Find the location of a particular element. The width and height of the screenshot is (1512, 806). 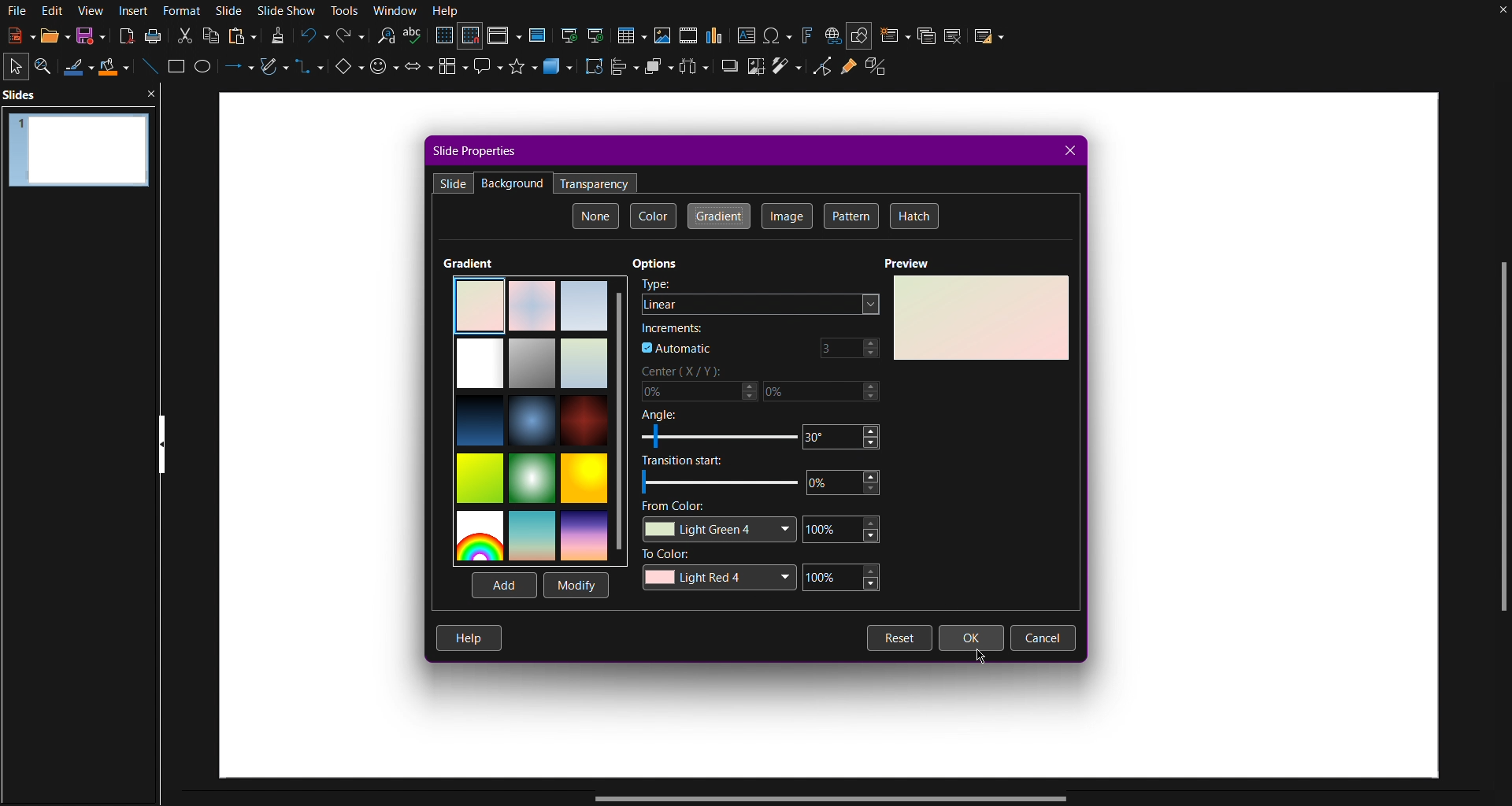

Hatch is located at coordinates (914, 217).